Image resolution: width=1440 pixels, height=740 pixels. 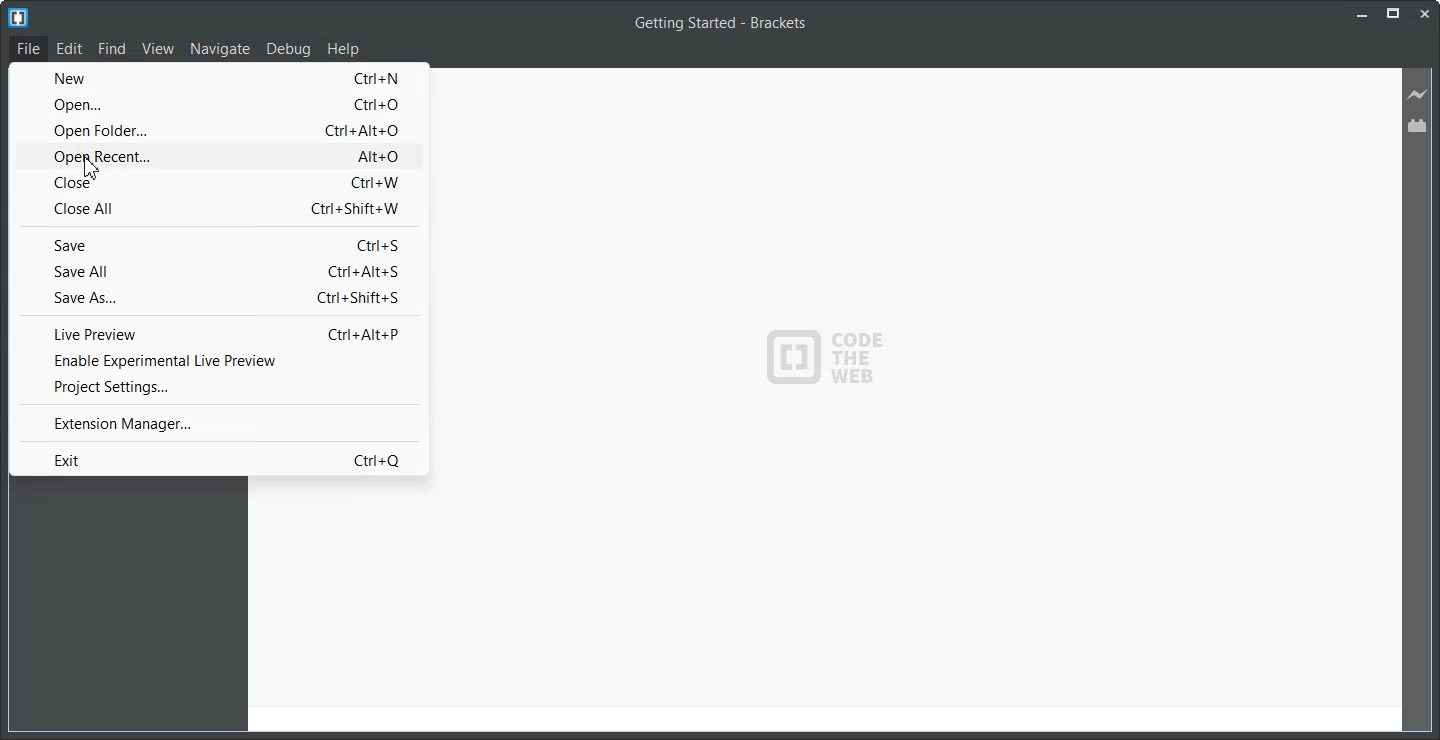 I want to click on Logo, so click(x=18, y=17).